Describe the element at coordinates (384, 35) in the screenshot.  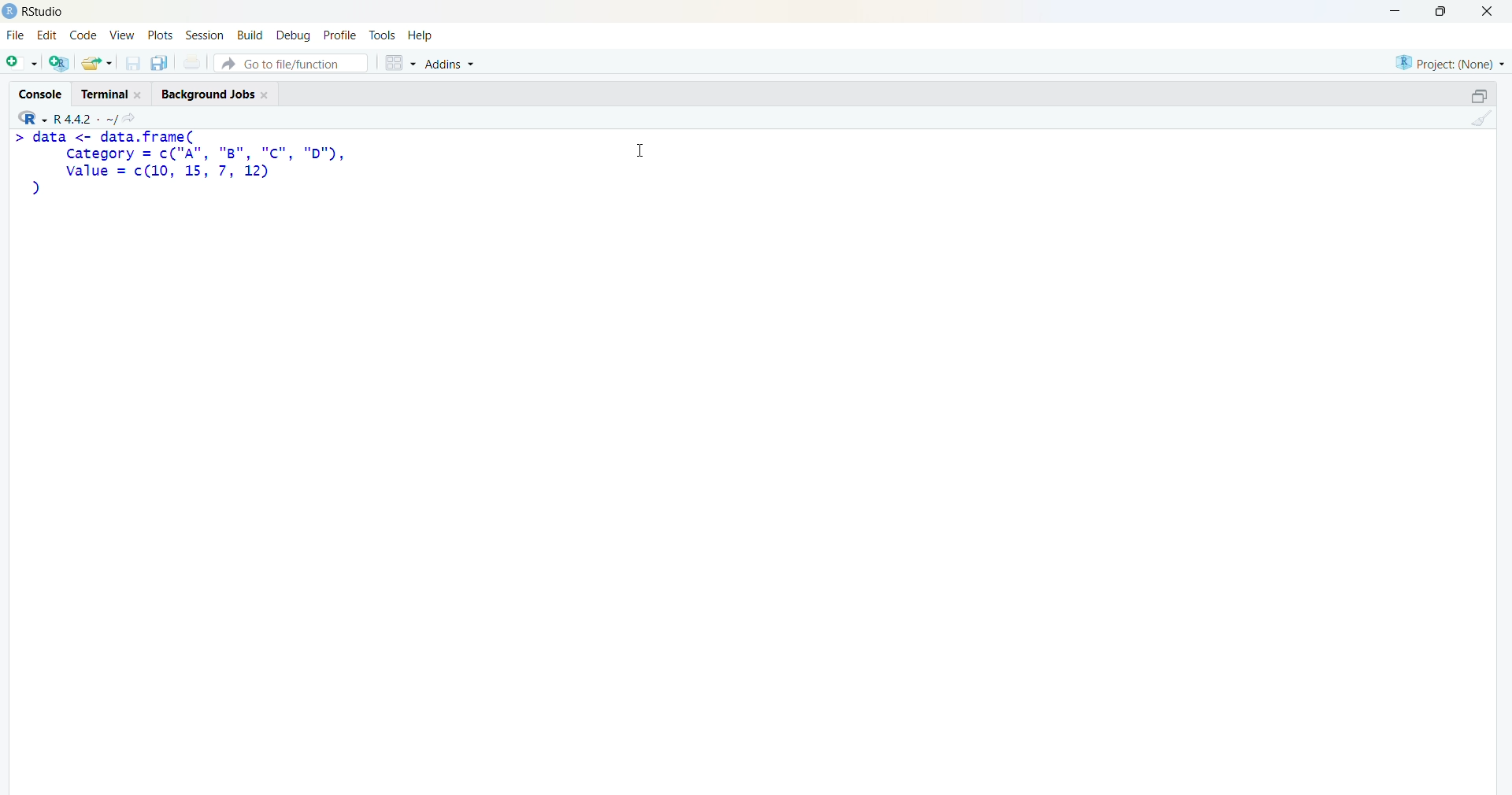
I see `tools` at that location.